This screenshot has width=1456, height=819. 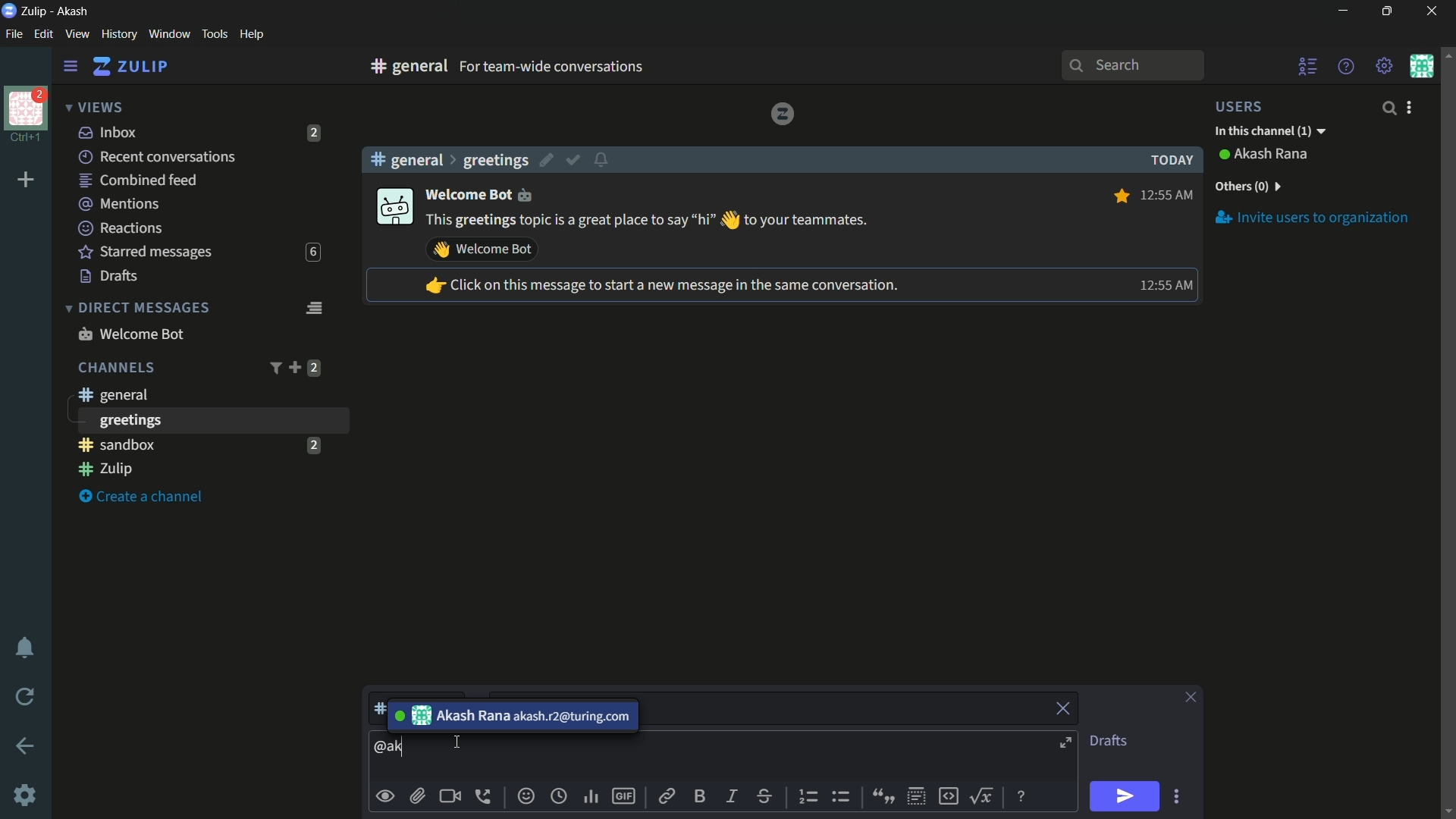 What do you see at coordinates (14, 35) in the screenshot?
I see `file menu` at bounding box center [14, 35].